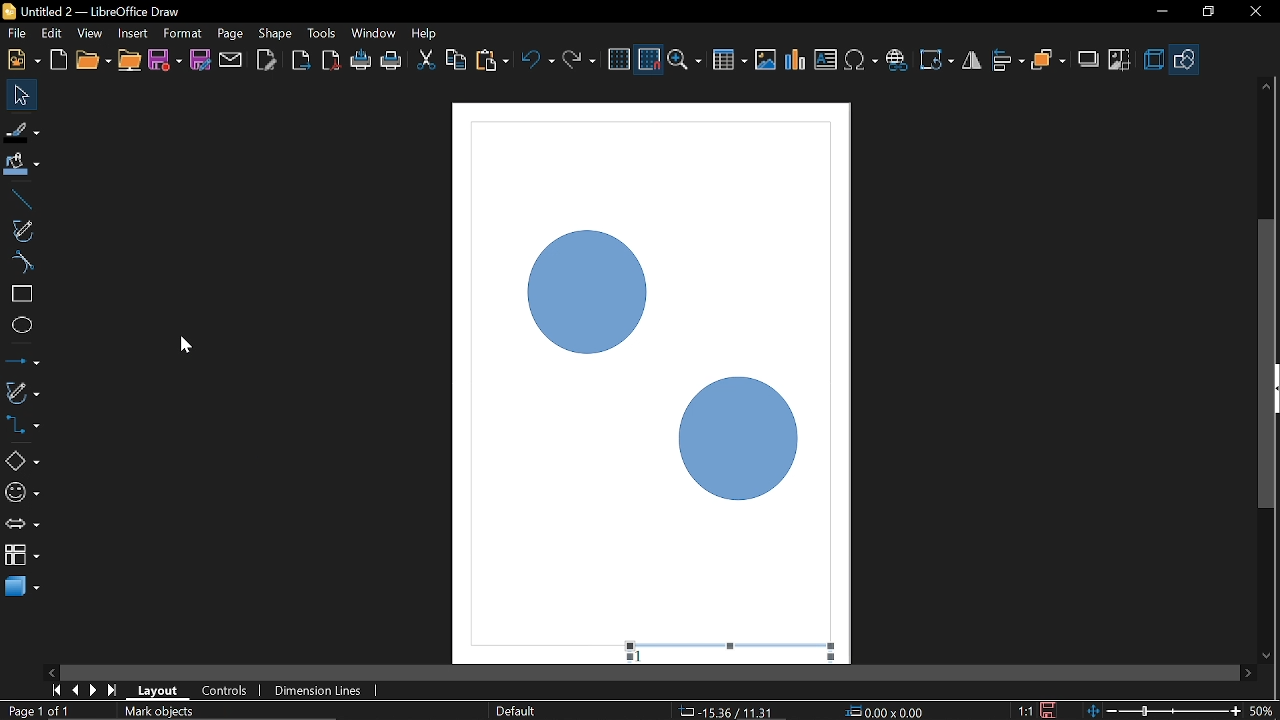 This screenshot has width=1280, height=720. Describe the element at coordinates (650, 60) in the screenshot. I see `snap to grid` at that location.